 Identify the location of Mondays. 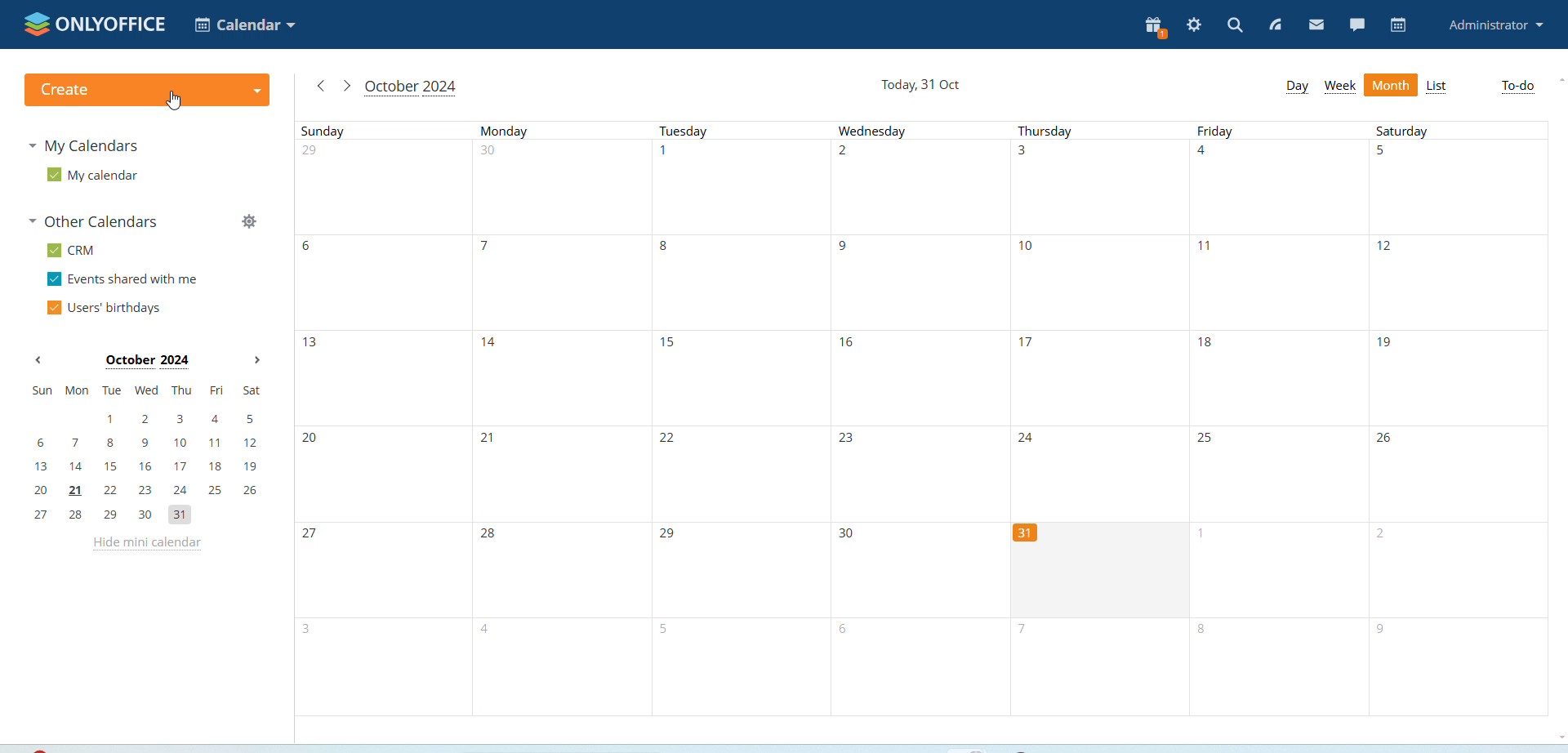
(557, 418).